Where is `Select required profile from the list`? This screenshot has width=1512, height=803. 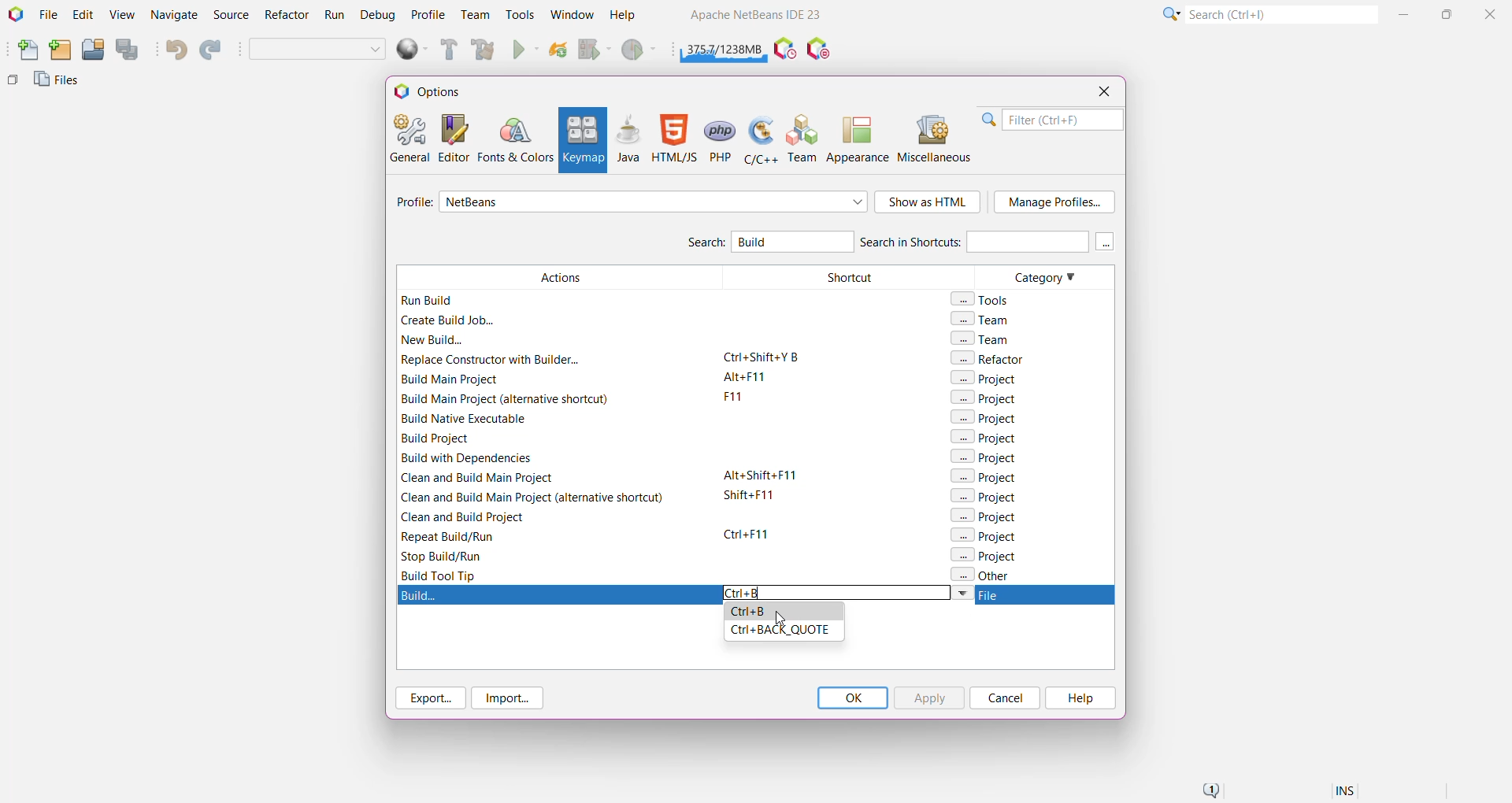 Select required profile from the list is located at coordinates (654, 202).